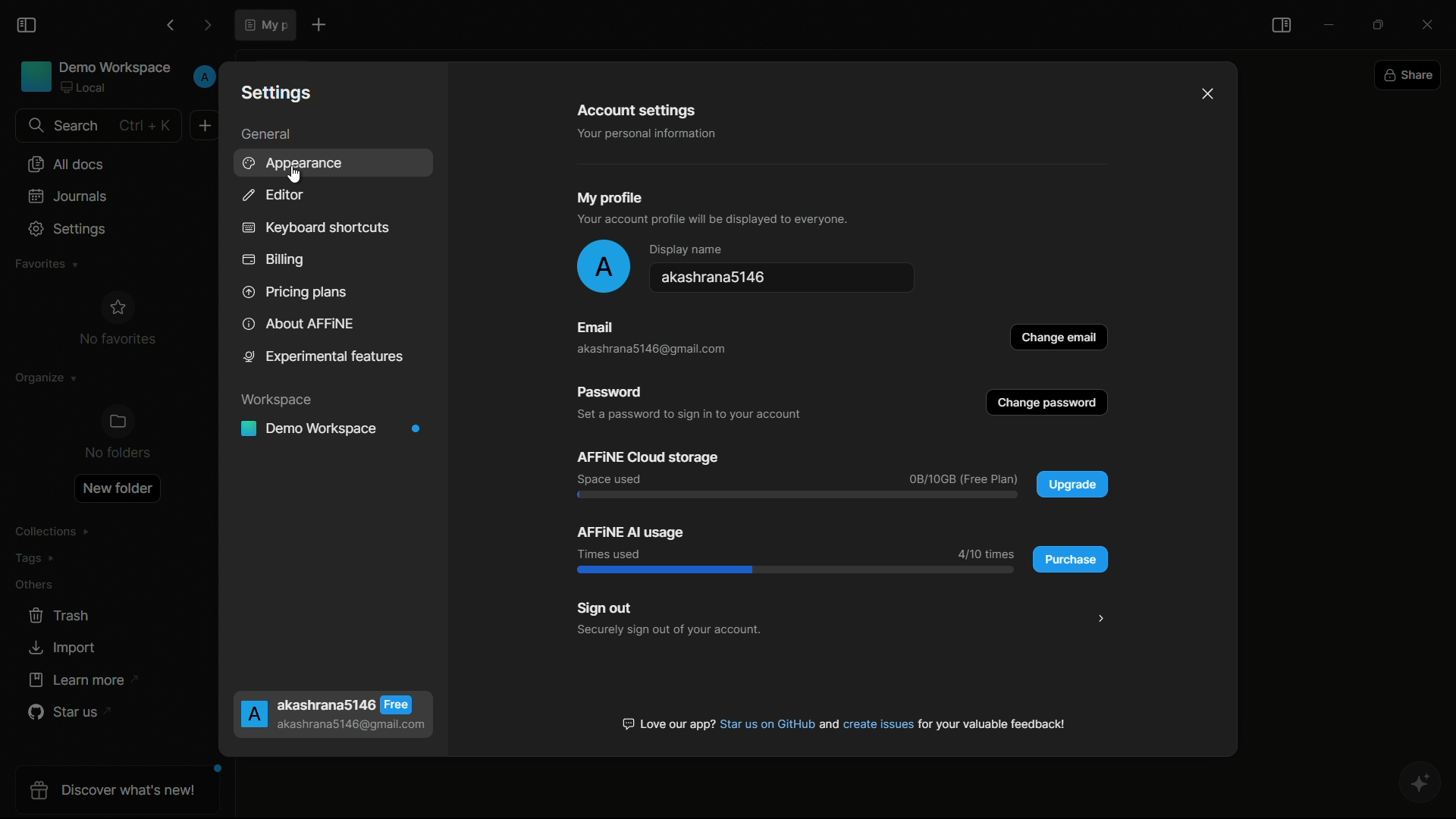  What do you see at coordinates (613, 479) in the screenshot?
I see `Space used` at bounding box center [613, 479].